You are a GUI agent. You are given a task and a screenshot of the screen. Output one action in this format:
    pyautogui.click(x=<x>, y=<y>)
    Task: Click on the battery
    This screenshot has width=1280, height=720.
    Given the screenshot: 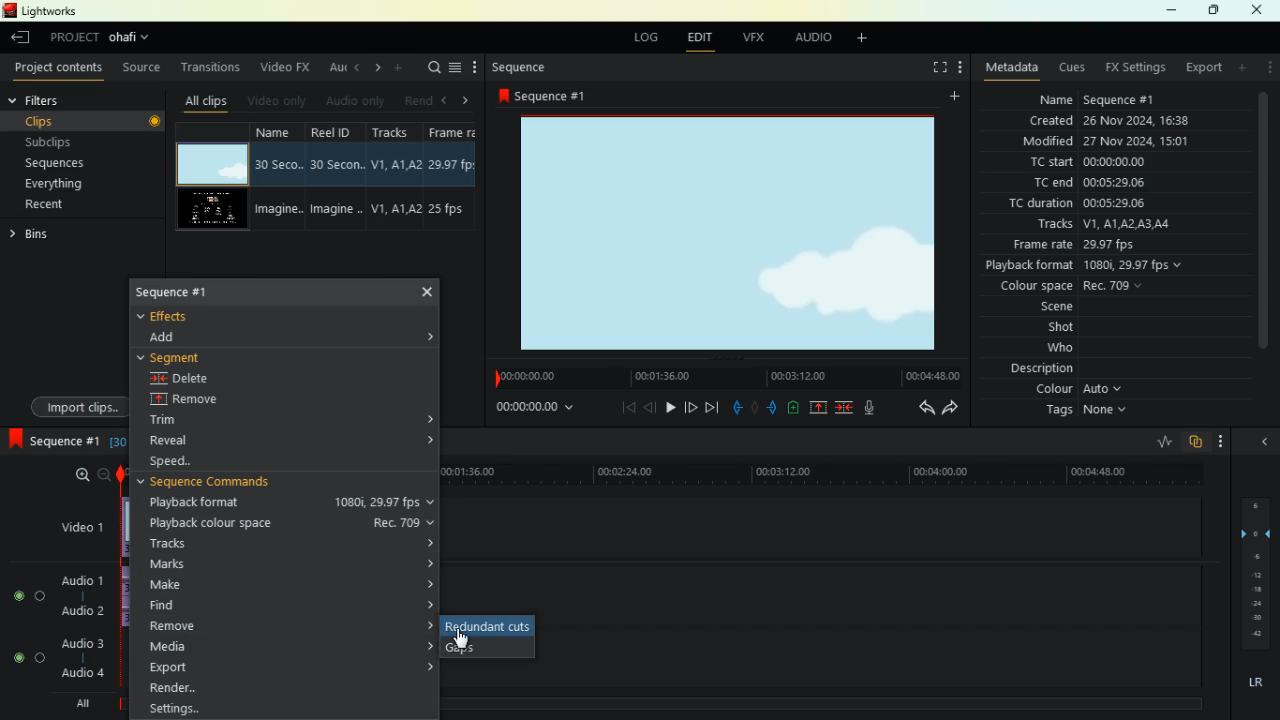 What is the action you would take?
    pyautogui.click(x=792, y=408)
    